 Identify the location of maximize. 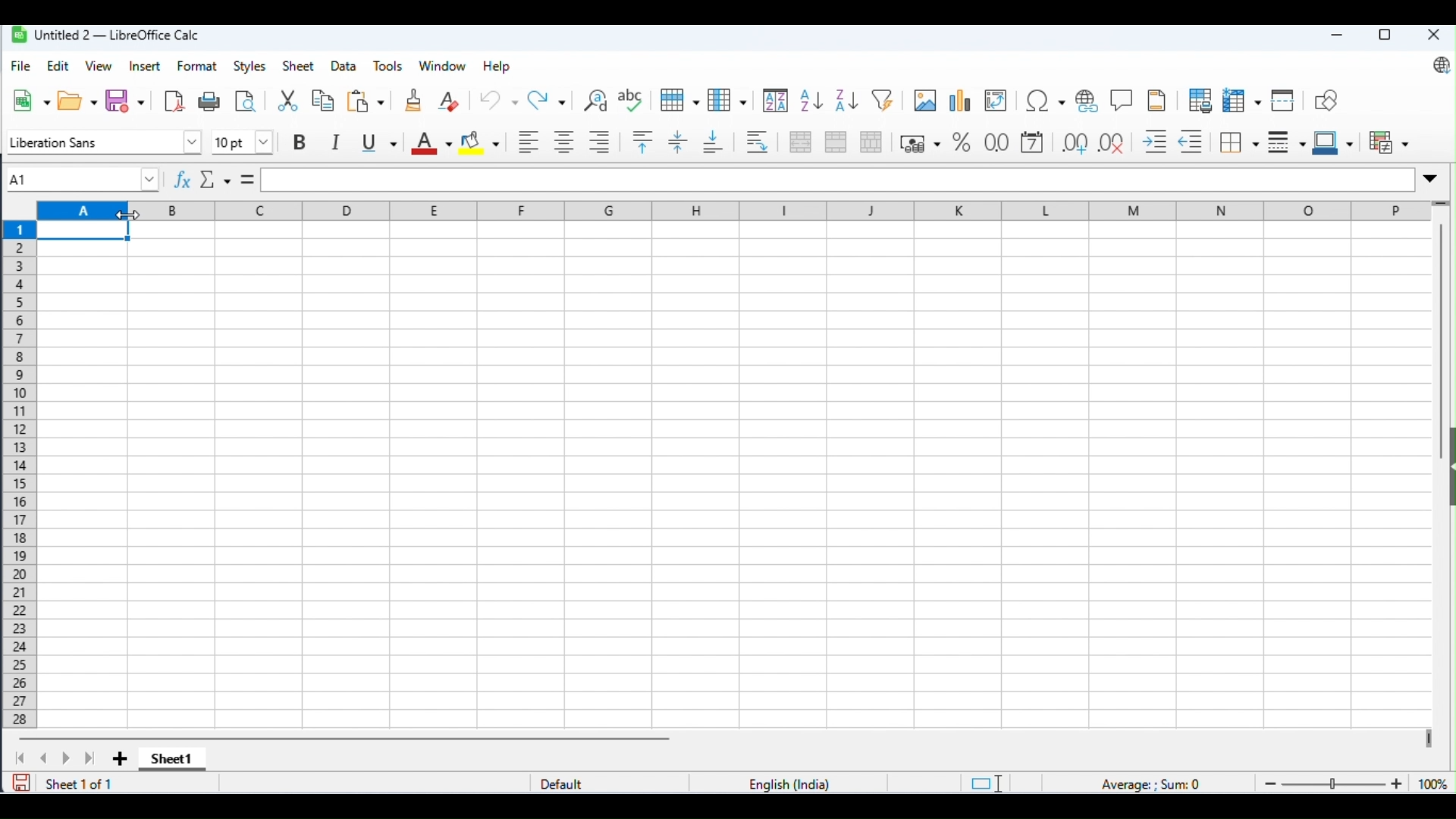
(1382, 36).